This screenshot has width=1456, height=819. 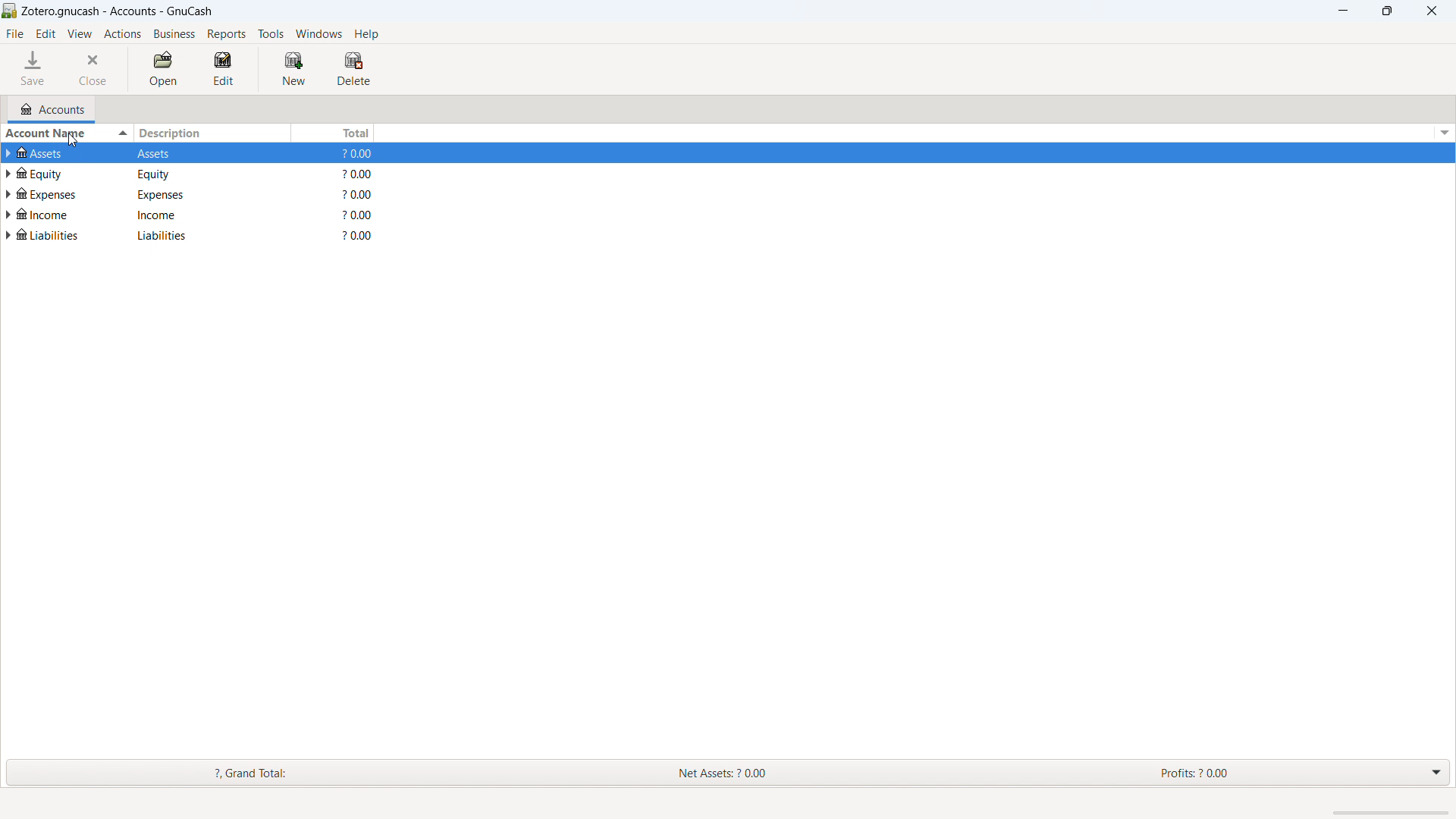 I want to click on title, so click(x=118, y=11).